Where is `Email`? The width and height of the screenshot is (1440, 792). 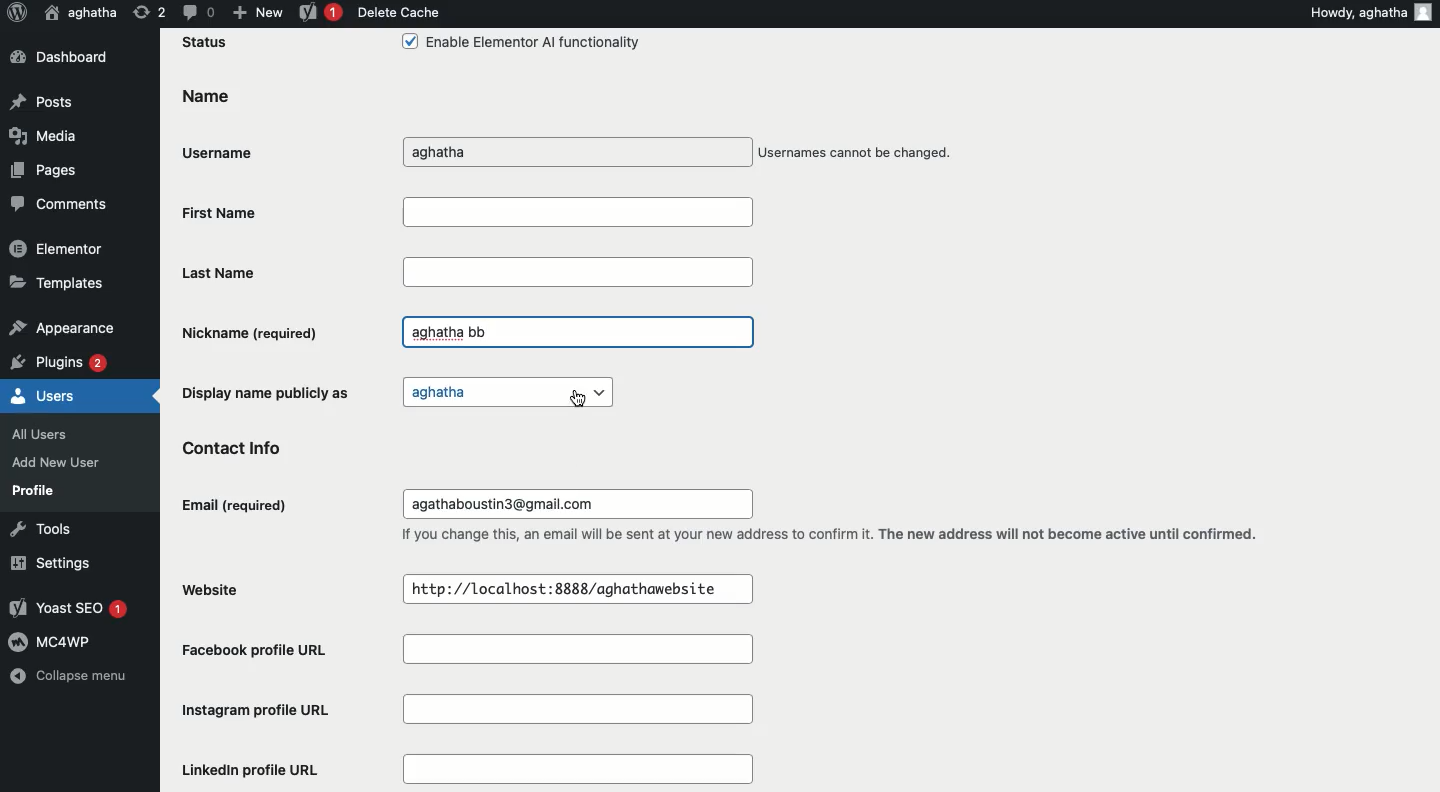 Email is located at coordinates (237, 506).